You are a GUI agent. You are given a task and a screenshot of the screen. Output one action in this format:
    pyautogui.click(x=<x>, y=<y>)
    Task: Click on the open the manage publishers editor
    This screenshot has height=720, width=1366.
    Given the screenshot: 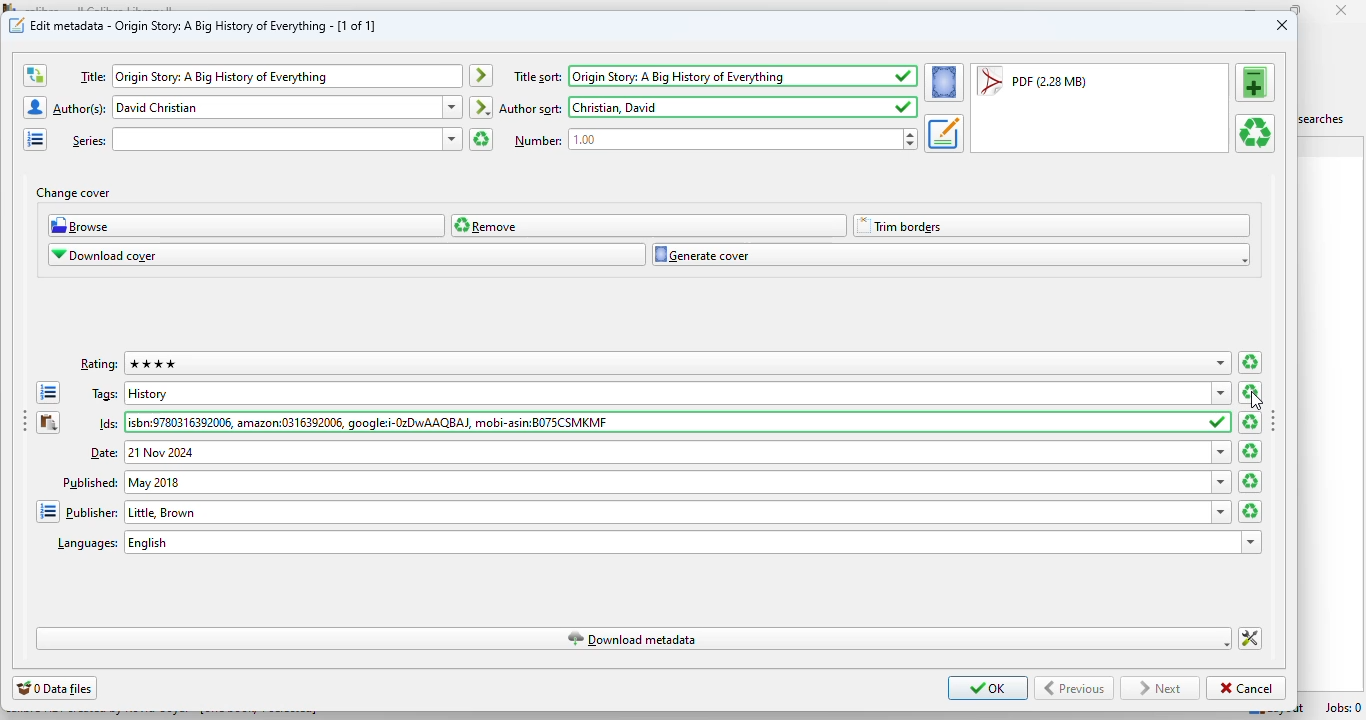 What is the action you would take?
    pyautogui.click(x=48, y=512)
    